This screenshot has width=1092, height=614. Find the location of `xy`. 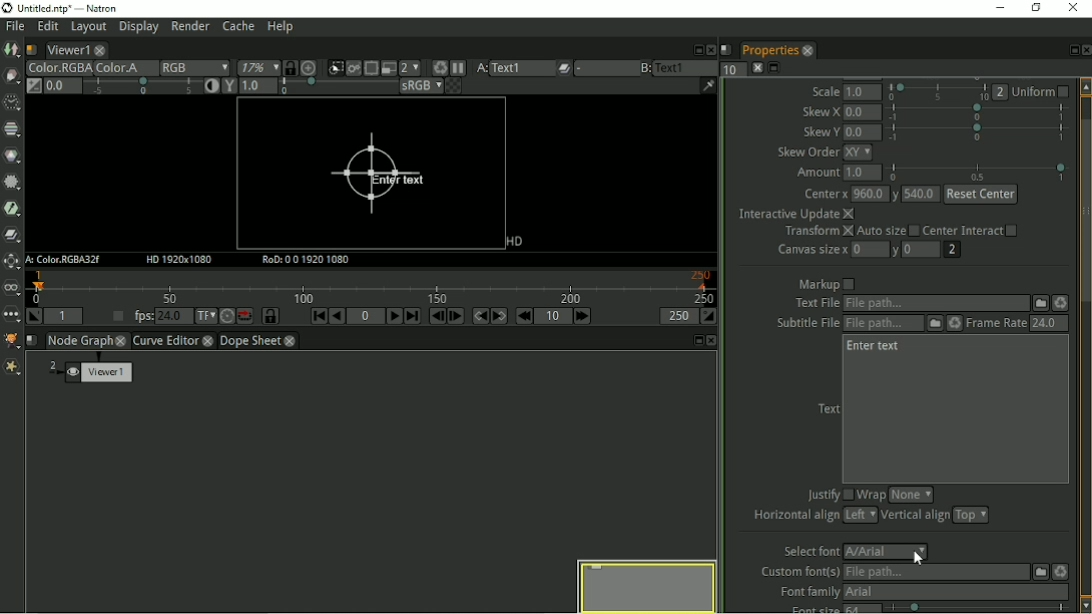

xy is located at coordinates (863, 153).